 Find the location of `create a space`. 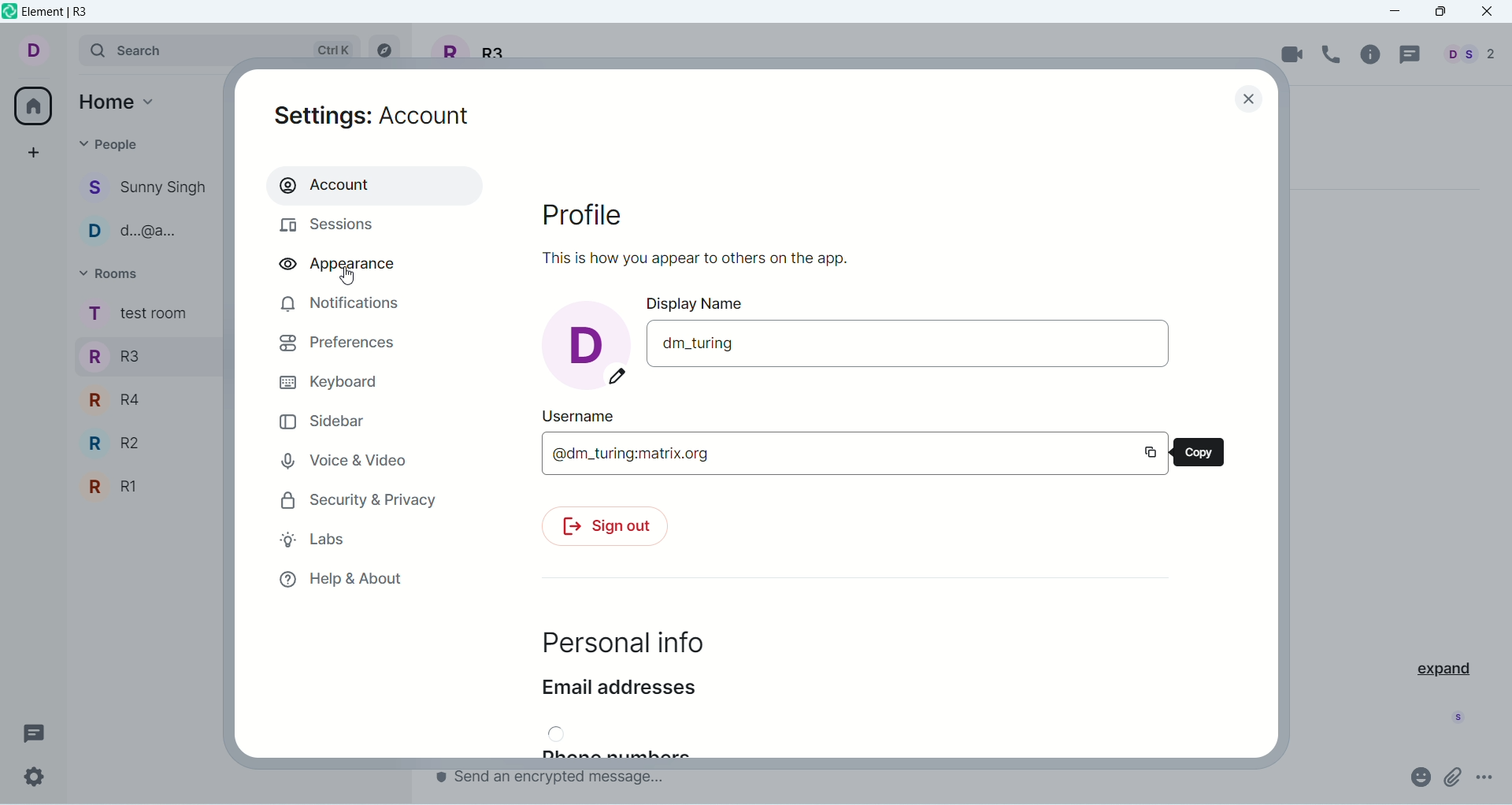

create a space is located at coordinates (34, 152).